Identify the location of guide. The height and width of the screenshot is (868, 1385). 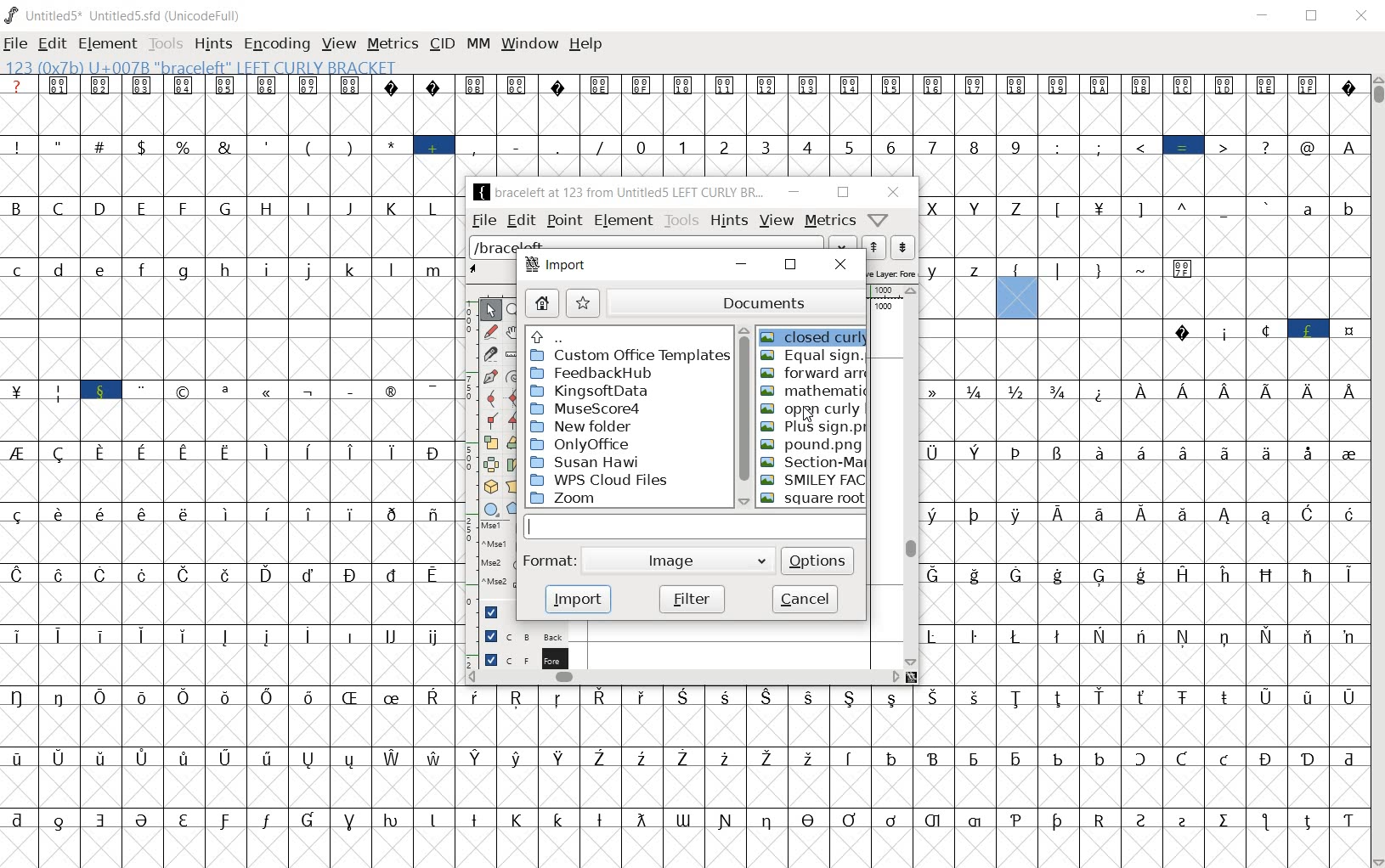
(490, 614).